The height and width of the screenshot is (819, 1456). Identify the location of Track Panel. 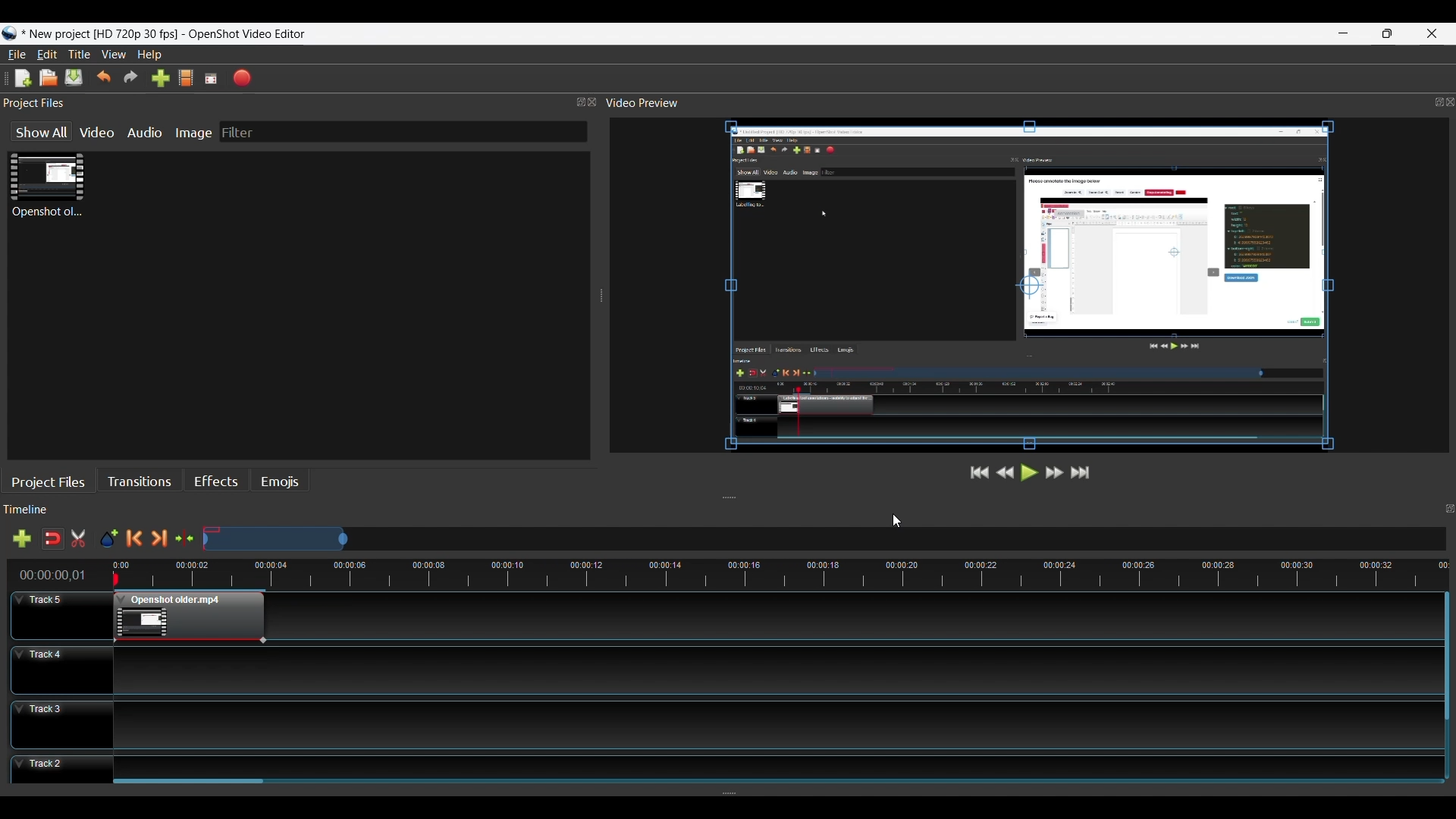
(774, 764).